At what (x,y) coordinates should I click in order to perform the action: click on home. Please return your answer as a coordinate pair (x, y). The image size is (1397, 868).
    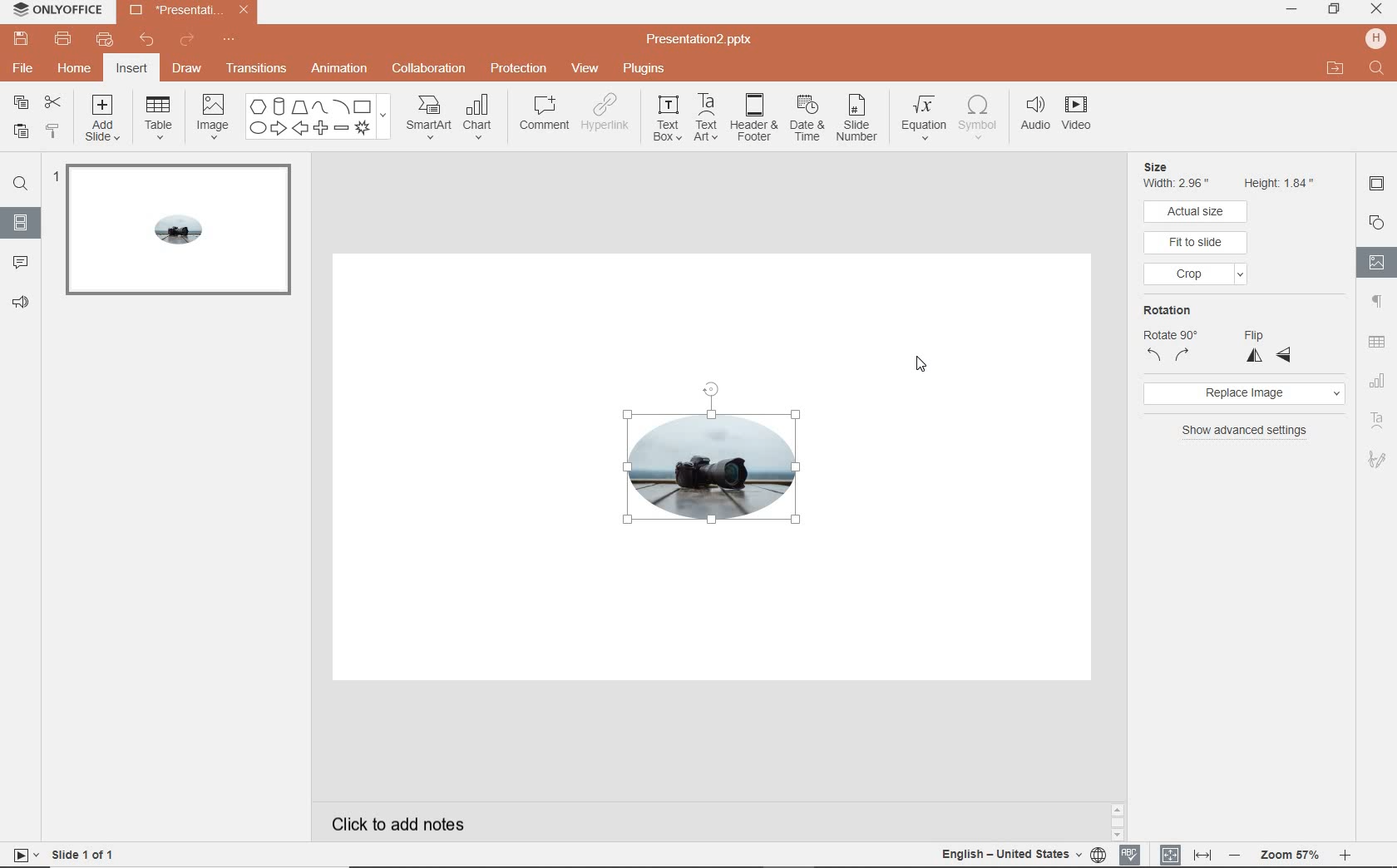
    Looking at the image, I should click on (76, 68).